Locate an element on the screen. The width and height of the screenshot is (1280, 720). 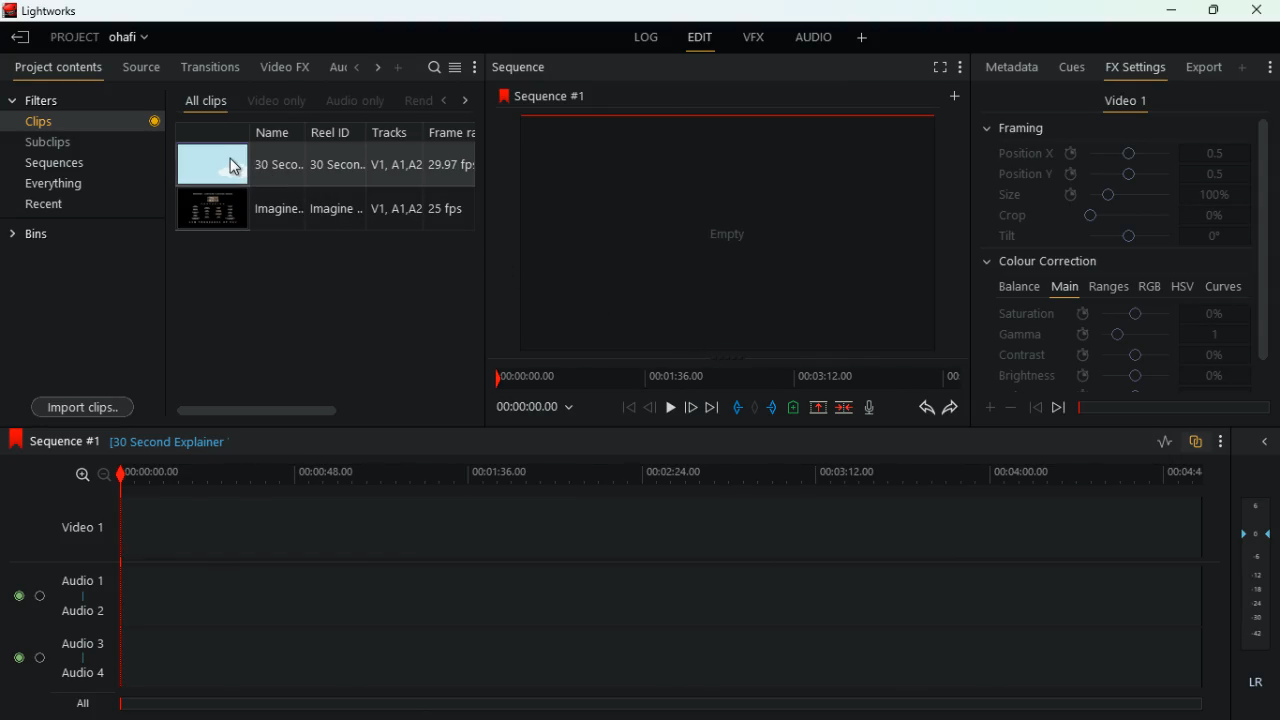
metadata is located at coordinates (1012, 67).